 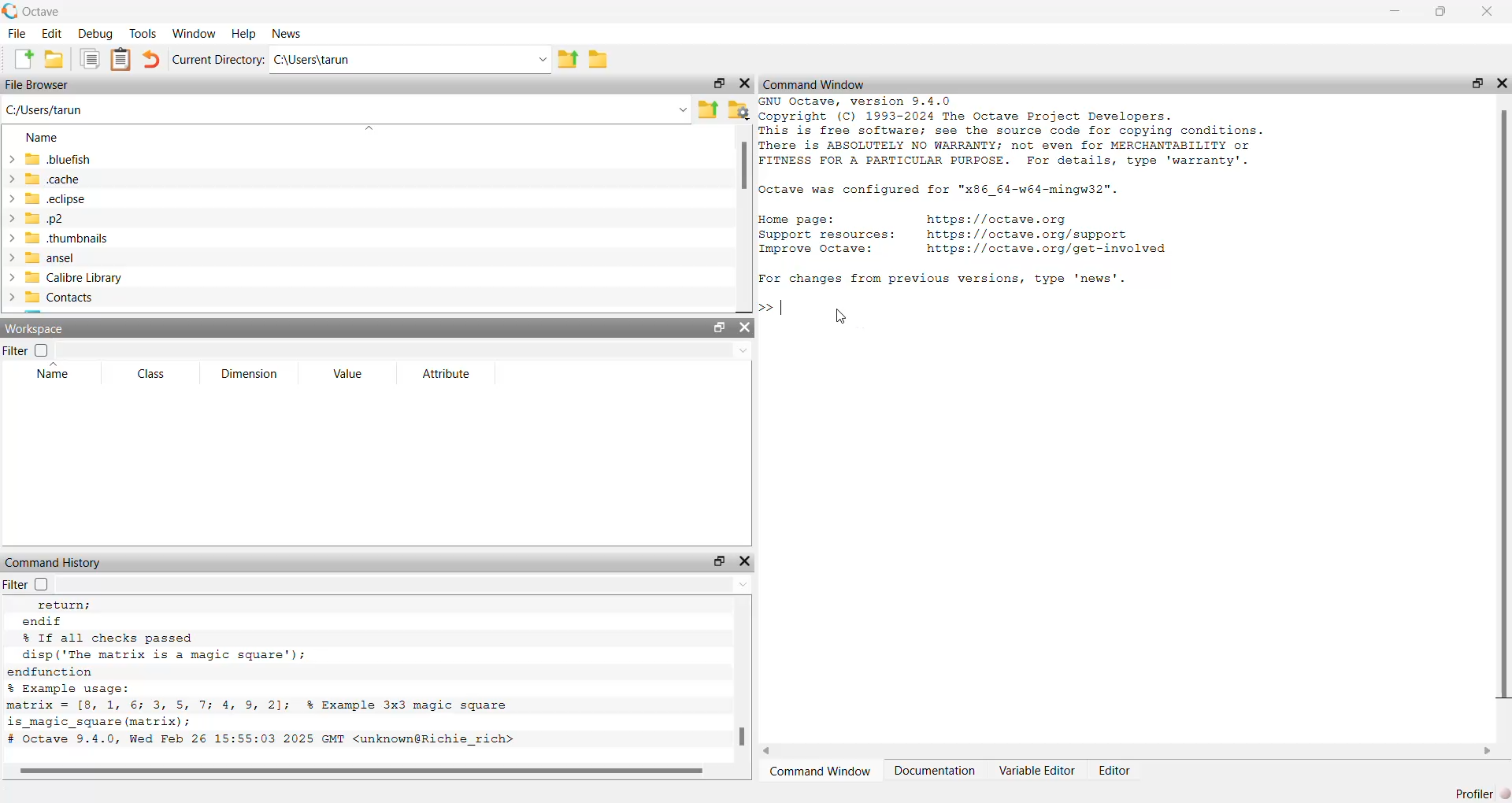 I want to click on Profiler, so click(x=1480, y=794).